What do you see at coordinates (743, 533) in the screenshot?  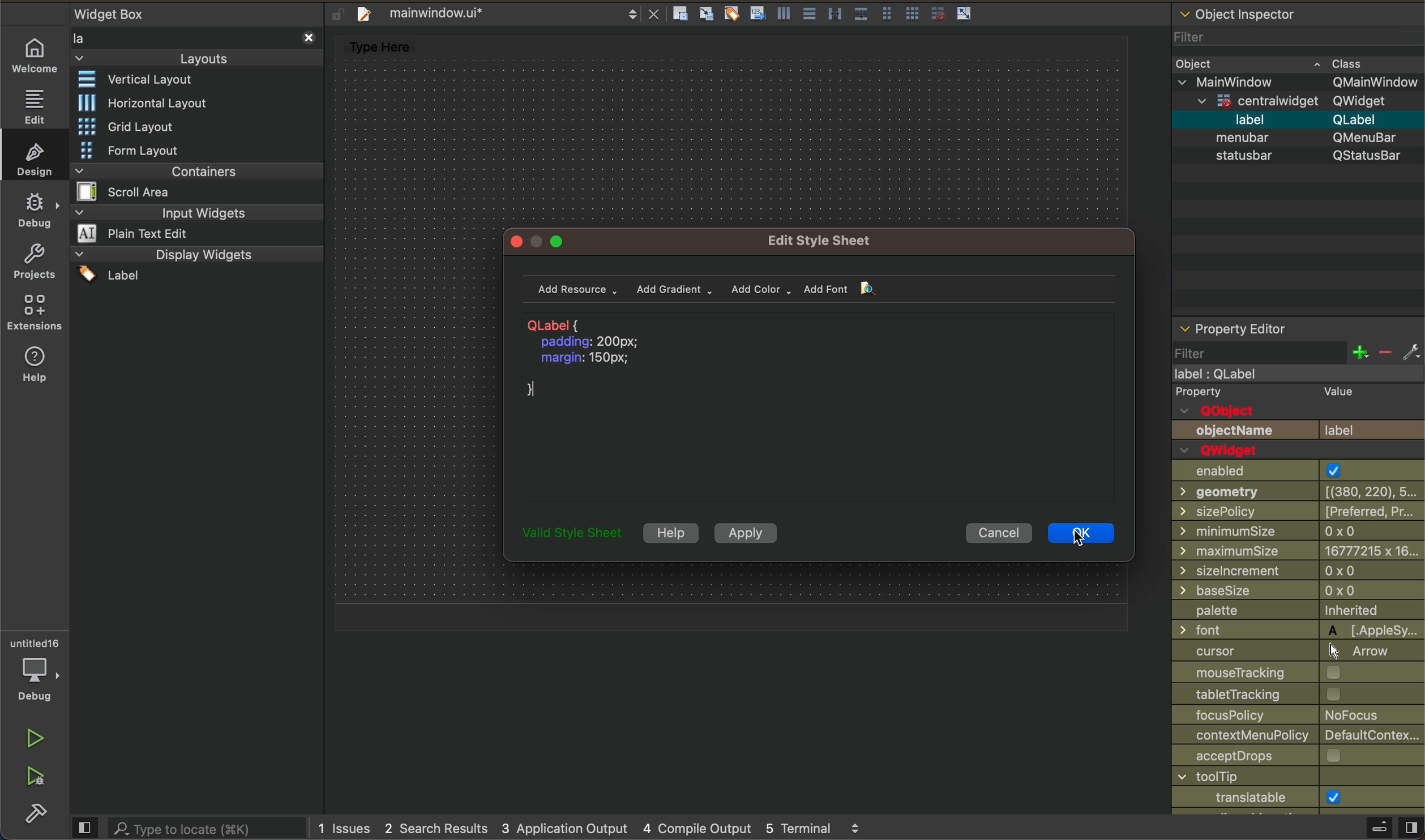 I see `apply` at bounding box center [743, 533].